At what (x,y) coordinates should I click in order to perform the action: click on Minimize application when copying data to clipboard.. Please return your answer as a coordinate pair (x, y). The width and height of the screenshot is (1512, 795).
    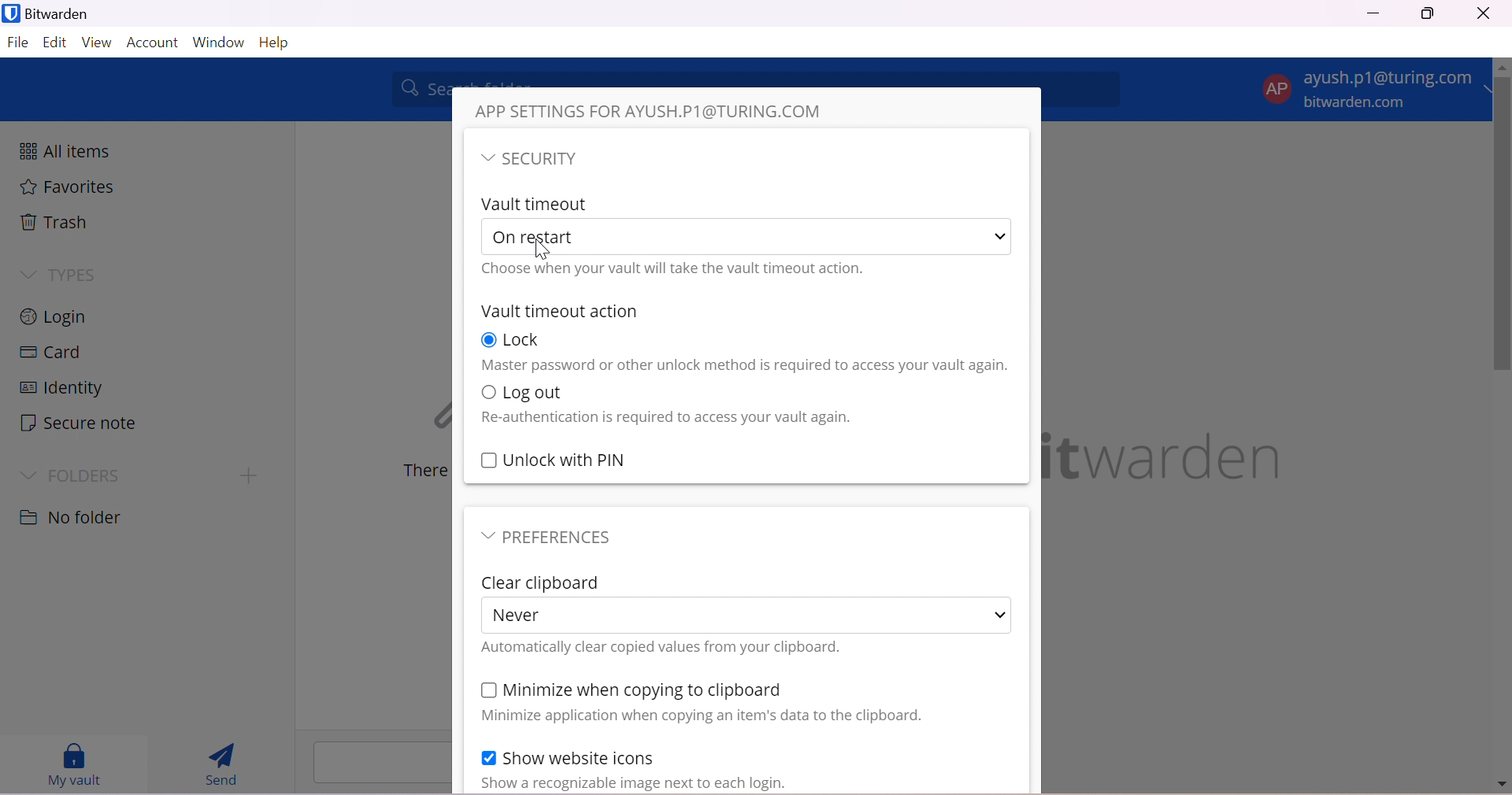
    Looking at the image, I should click on (700, 718).